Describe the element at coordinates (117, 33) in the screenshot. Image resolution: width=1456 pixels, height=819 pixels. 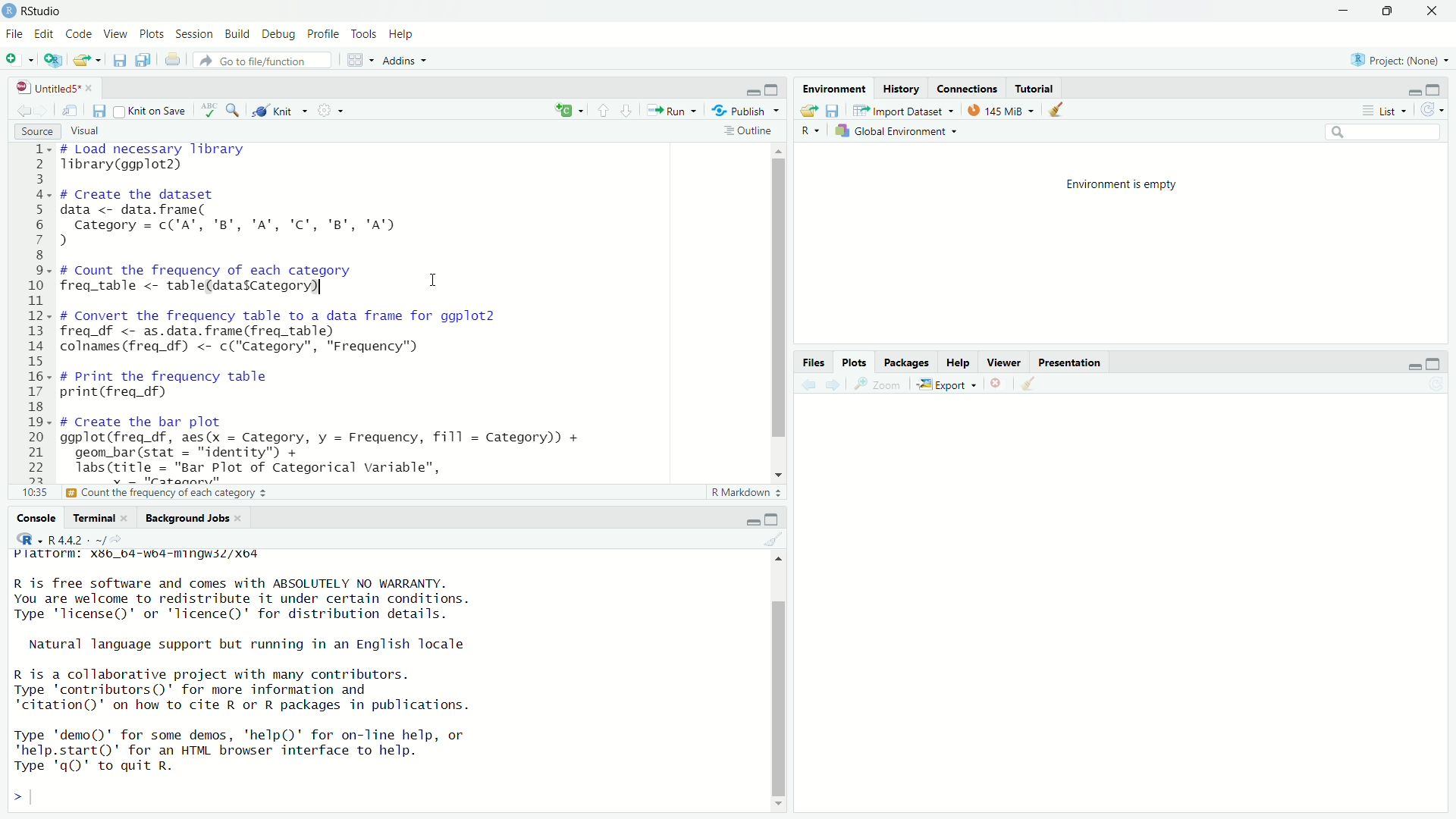
I see `view` at that location.